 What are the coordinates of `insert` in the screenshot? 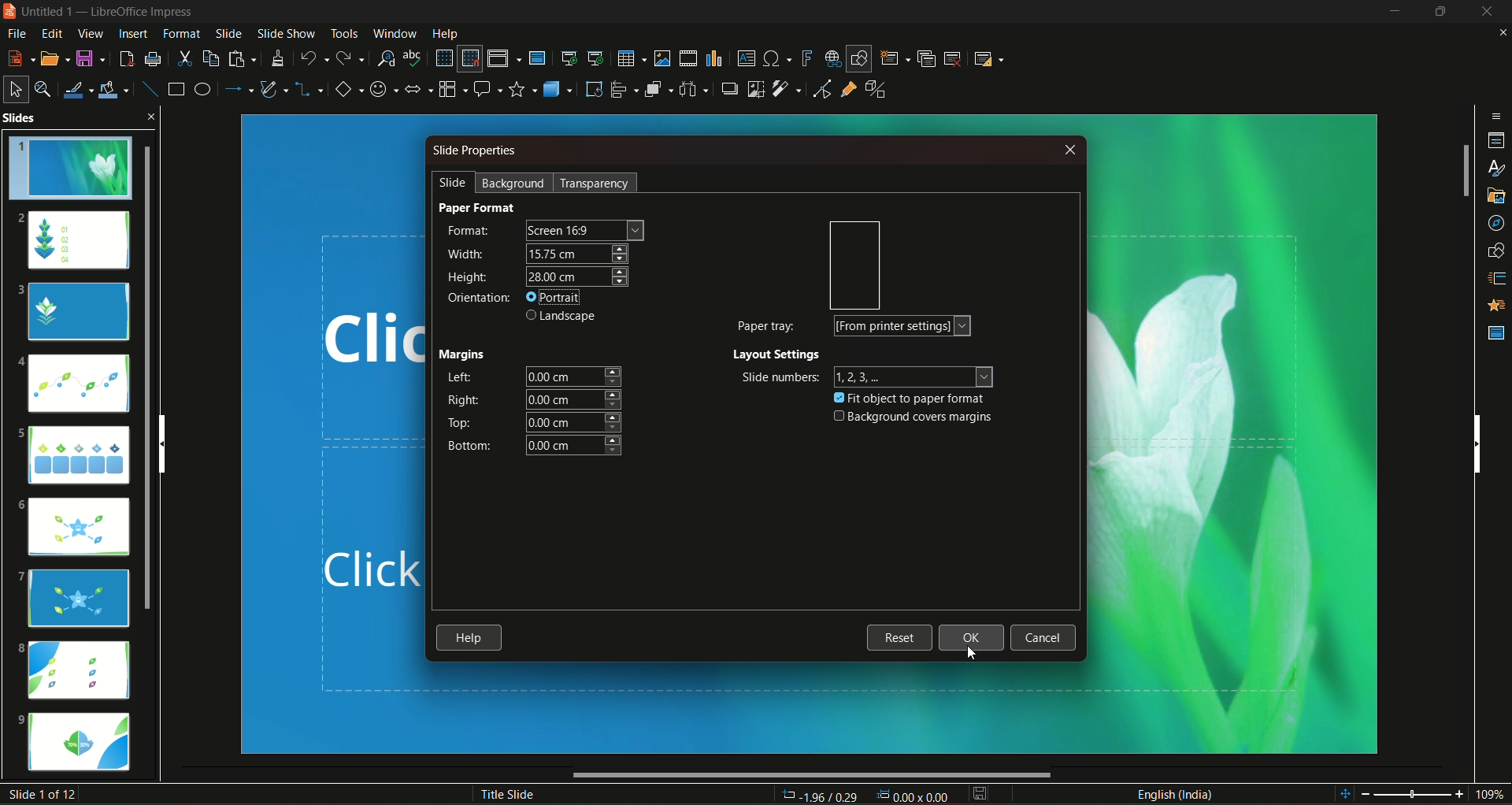 It's located at (131, 33).